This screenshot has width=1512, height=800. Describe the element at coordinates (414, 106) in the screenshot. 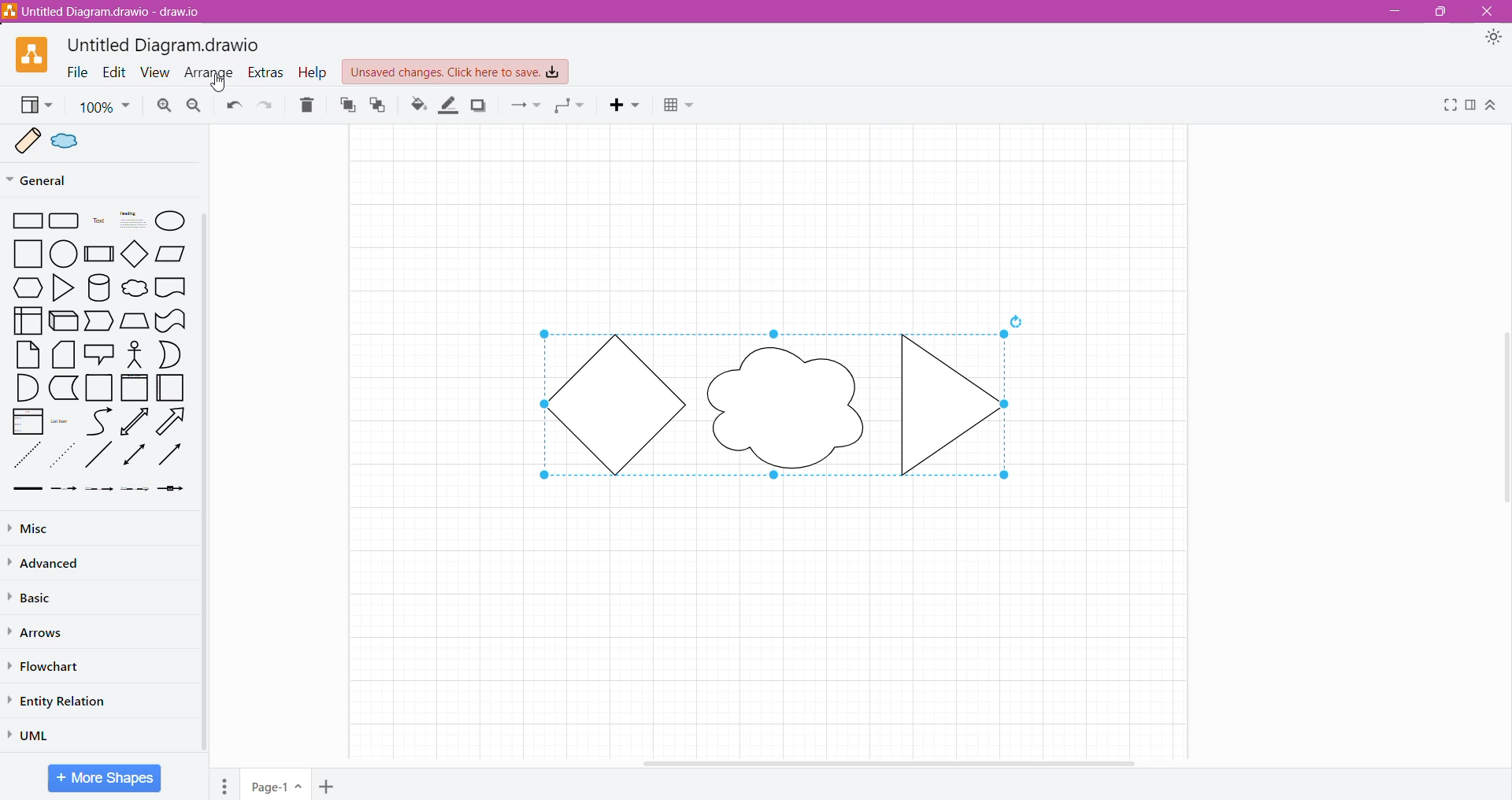

I see `Fill Color` at that location.